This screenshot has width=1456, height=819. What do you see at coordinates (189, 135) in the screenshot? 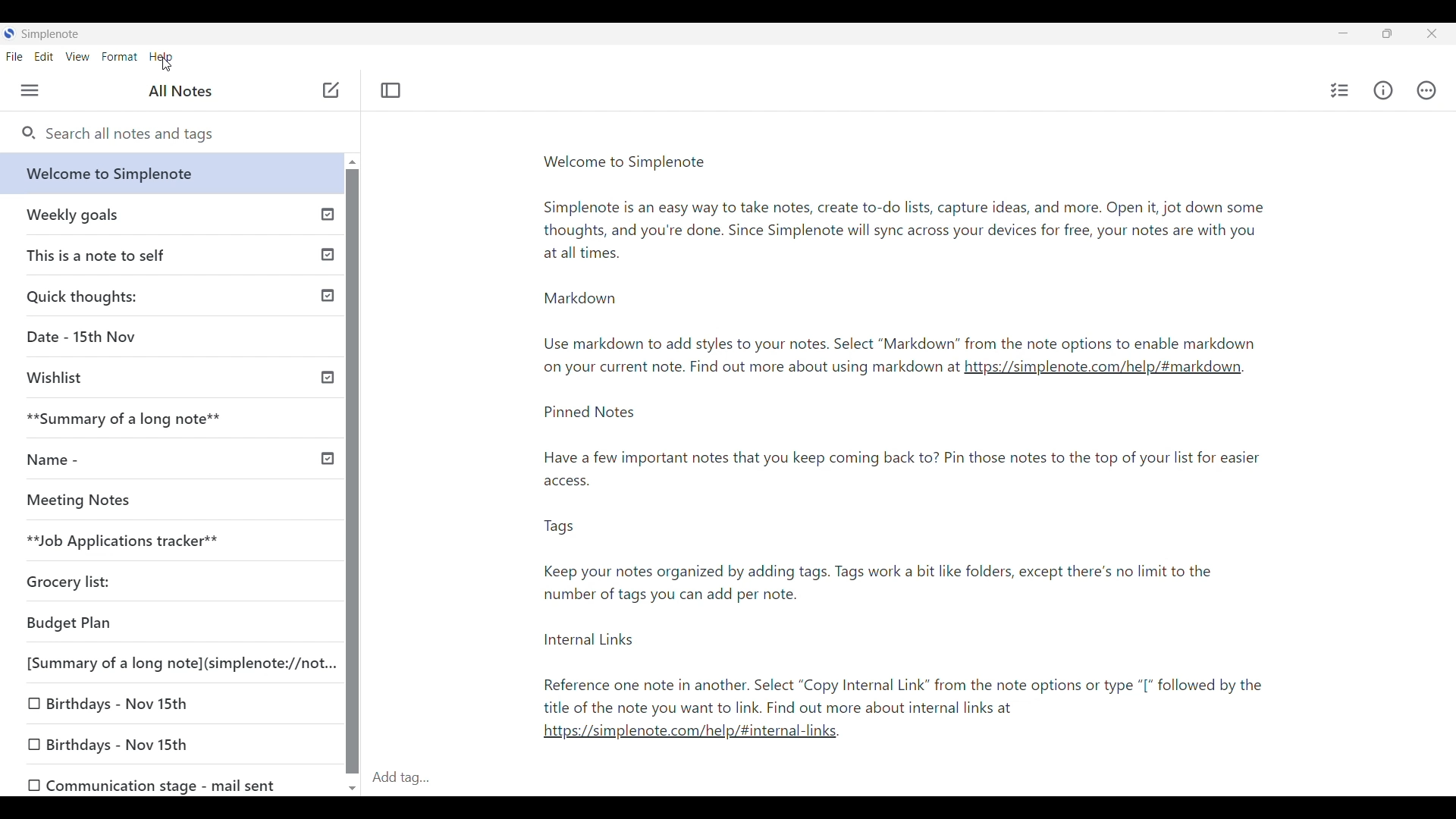
I see `Search all notes and tags` at bounding box center [189, 135].